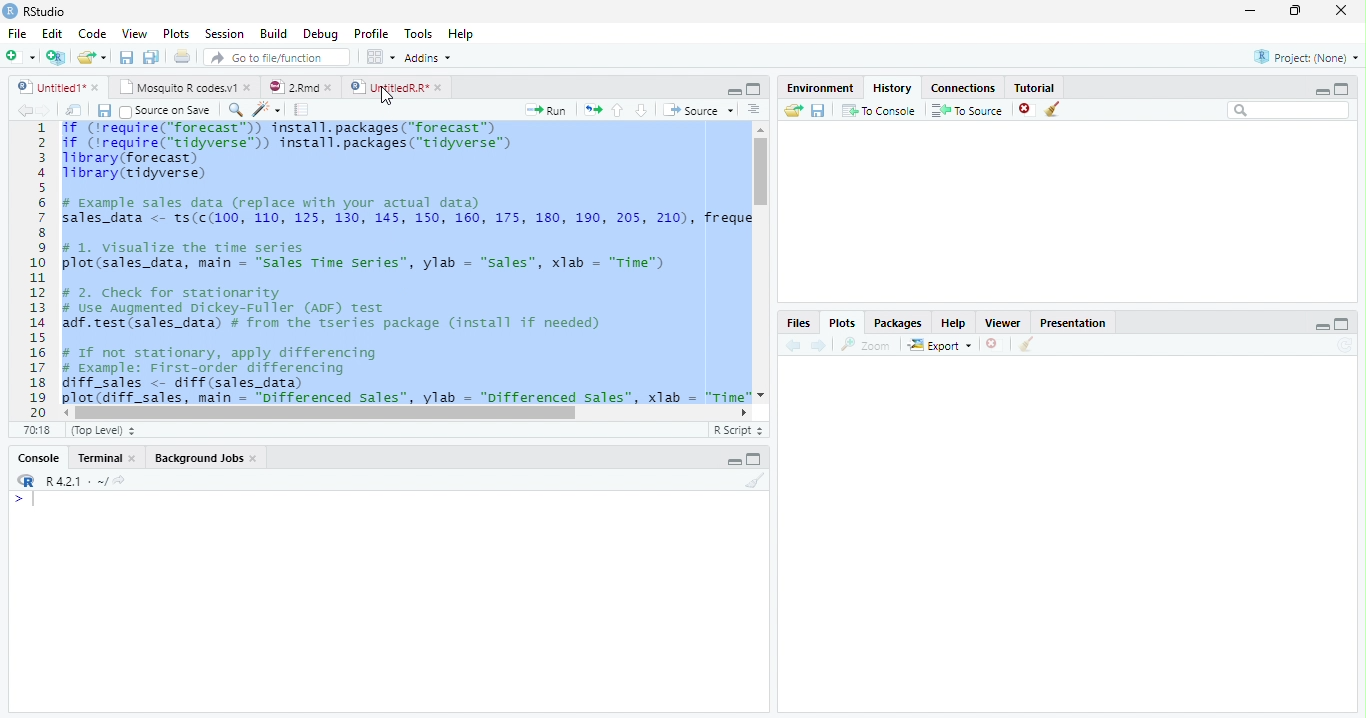 The height and width of the screenshot is (718, 1366). What do you see at coordinates (93, 55) in the screenshot?
I see `Open Folder` at bounding box center [93, 55].